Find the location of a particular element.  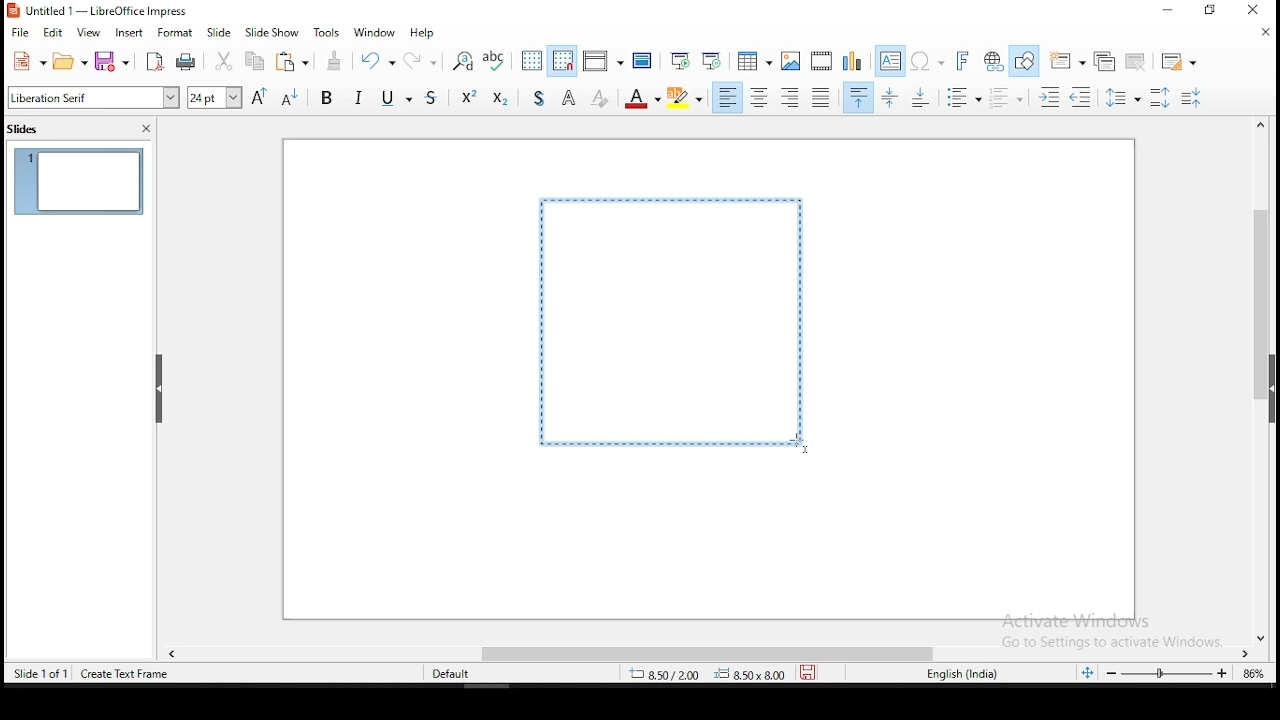

export as pdf is located at coordinates (156, 62).